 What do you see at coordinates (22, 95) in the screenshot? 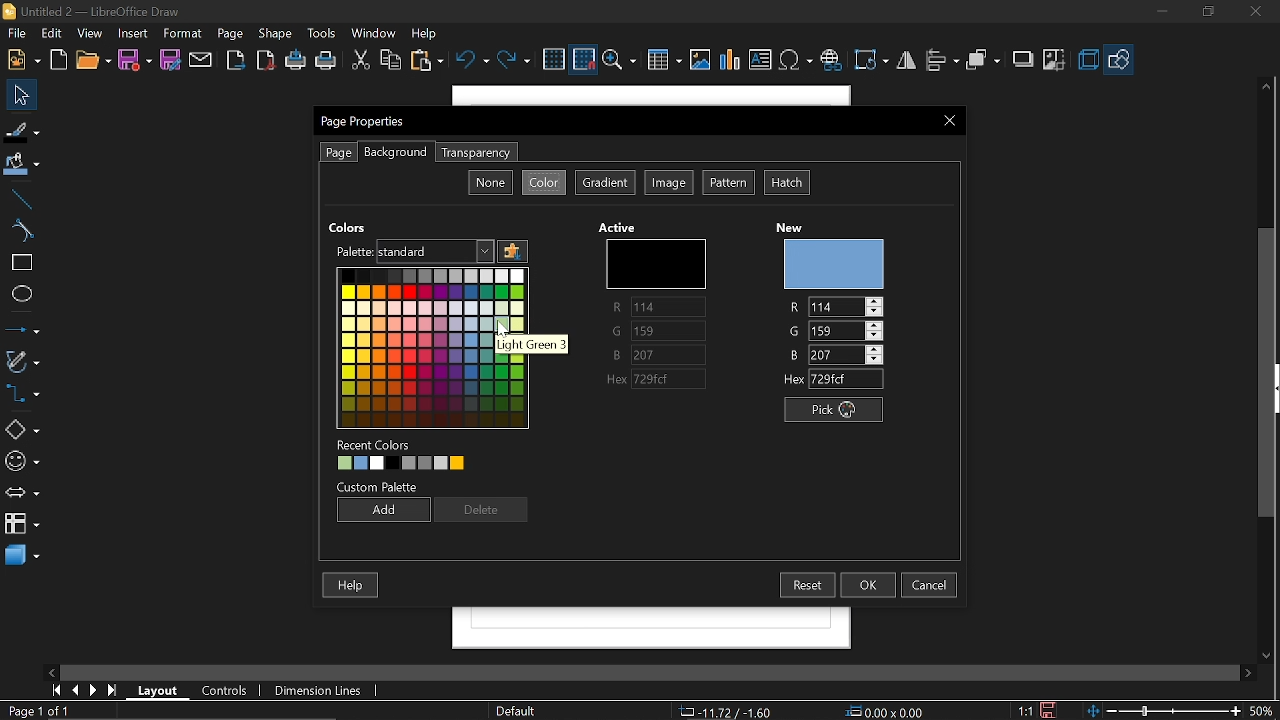
I see `Select` at bounding box center [22, 95].